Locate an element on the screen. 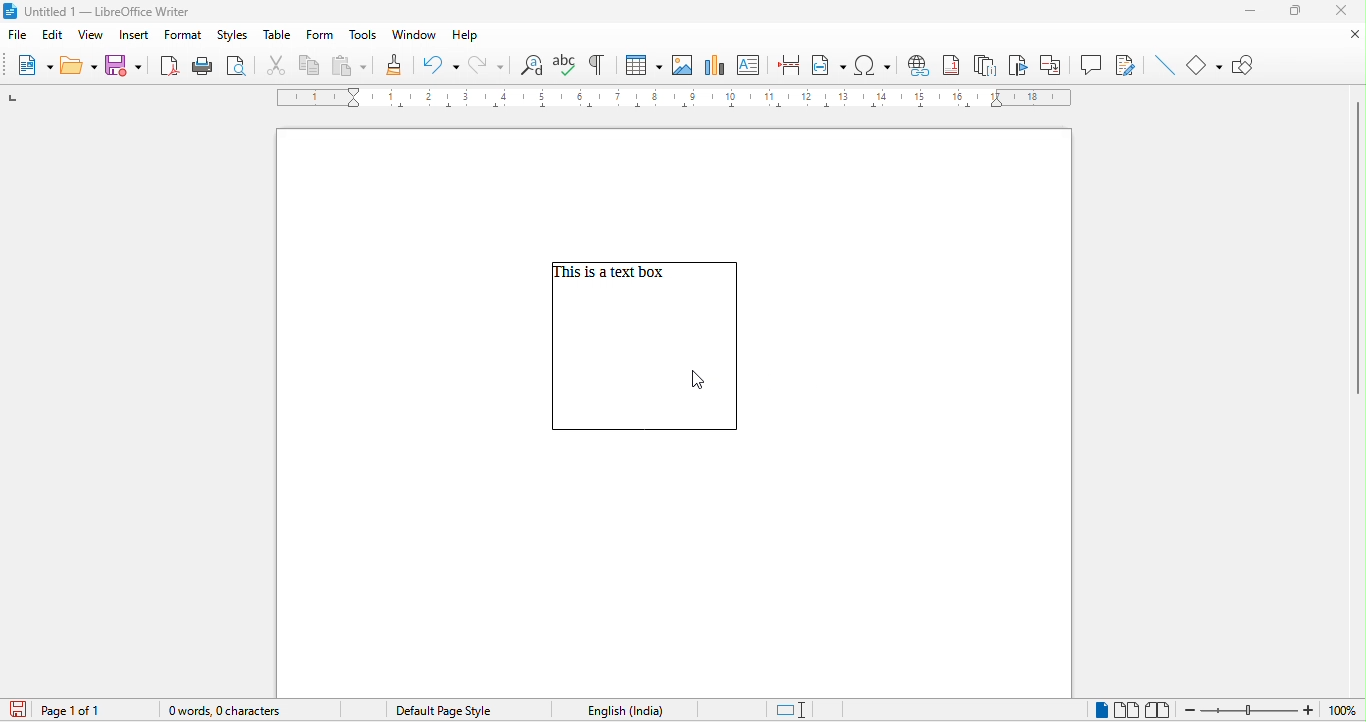 The height and width of the screenshot is (722, 1366). ruler is located at coordinates (675, 99).